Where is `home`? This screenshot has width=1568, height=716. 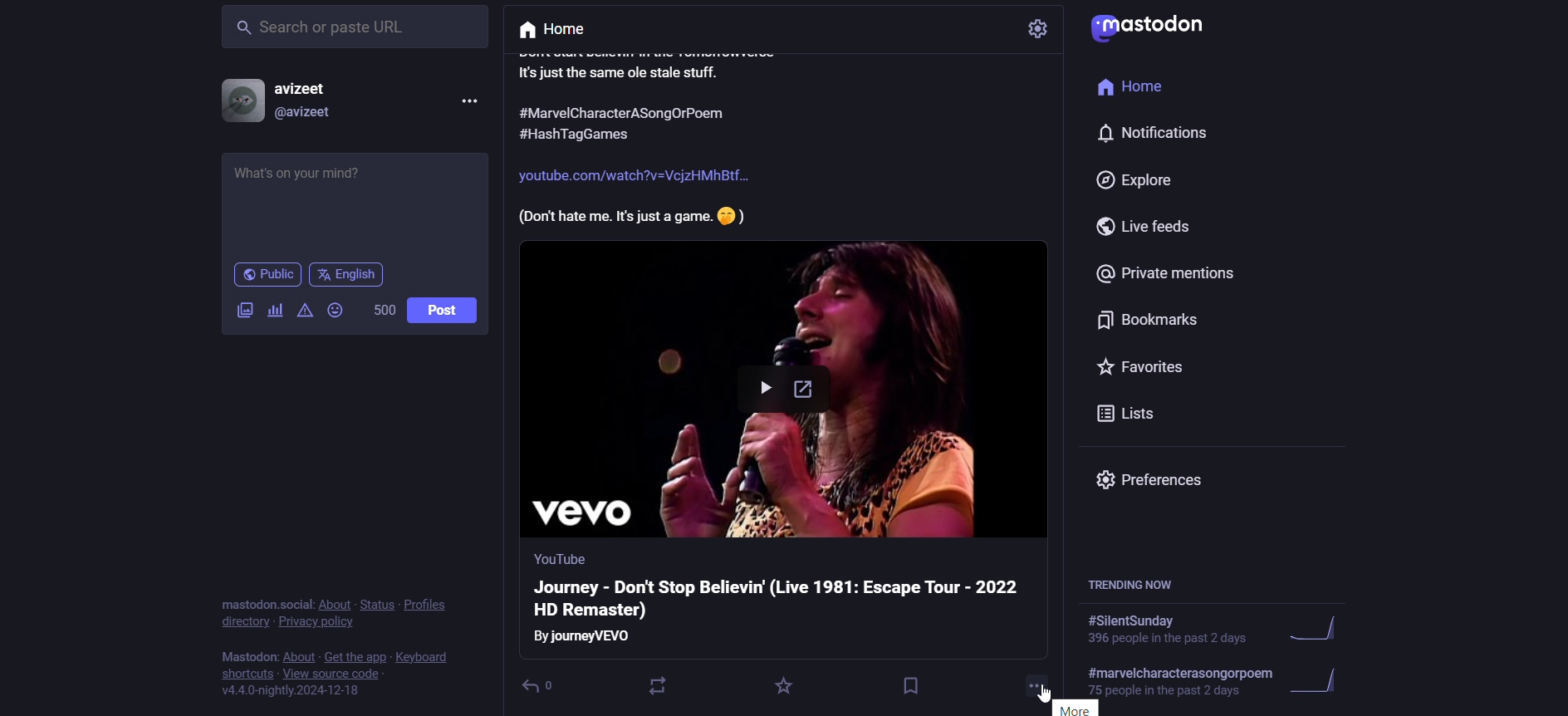
home is located at coordinates (1143, 89).